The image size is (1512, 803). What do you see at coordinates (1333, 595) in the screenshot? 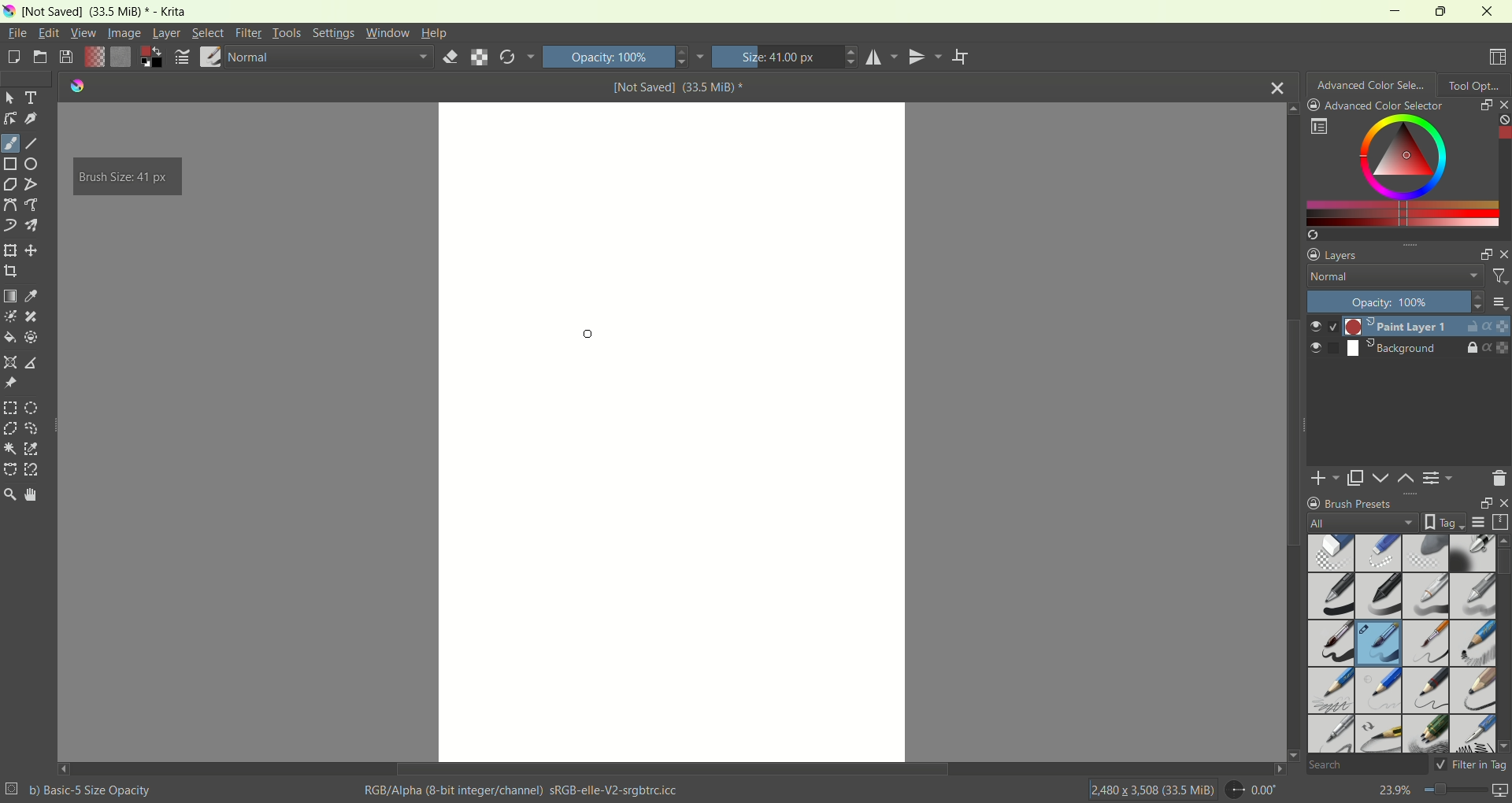
I see `basic 1` at bounding box center [1333, 595].